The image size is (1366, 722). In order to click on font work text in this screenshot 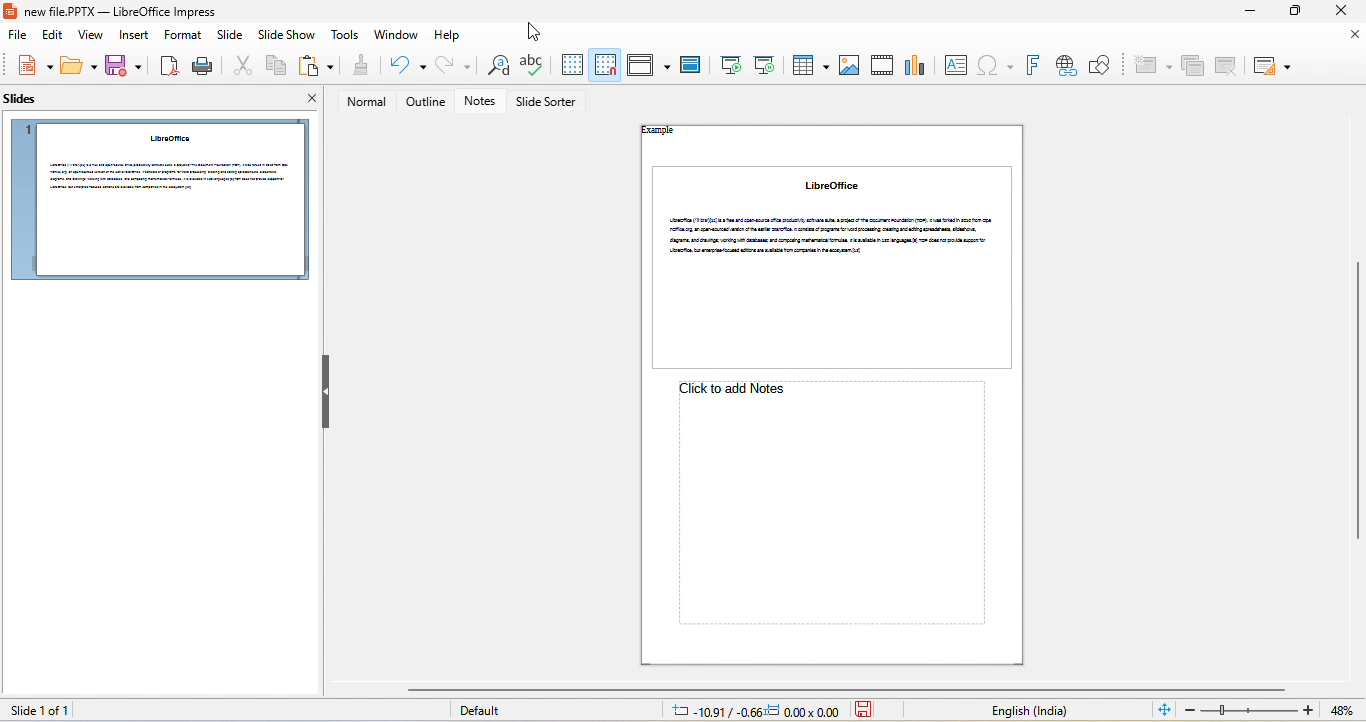, I will do `click(1032, 66)`.